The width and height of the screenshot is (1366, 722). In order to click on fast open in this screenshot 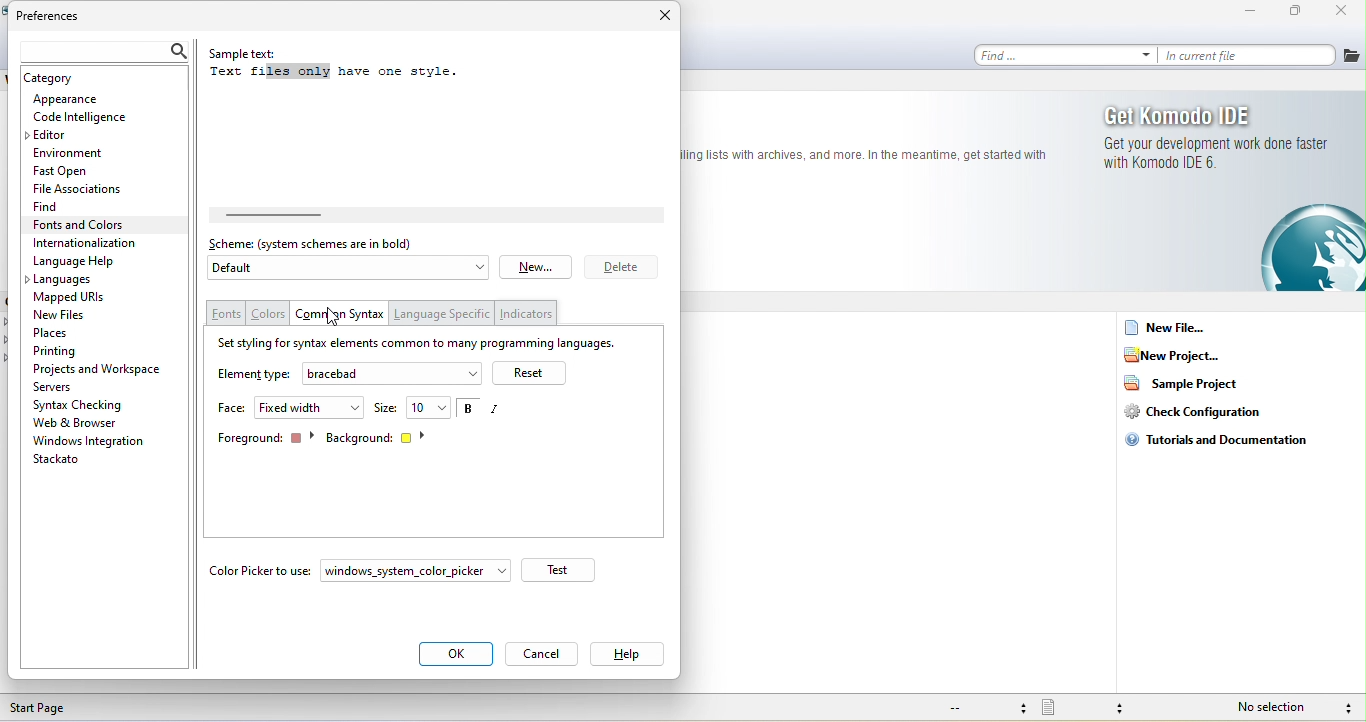, I will do `click(72, 171)`.